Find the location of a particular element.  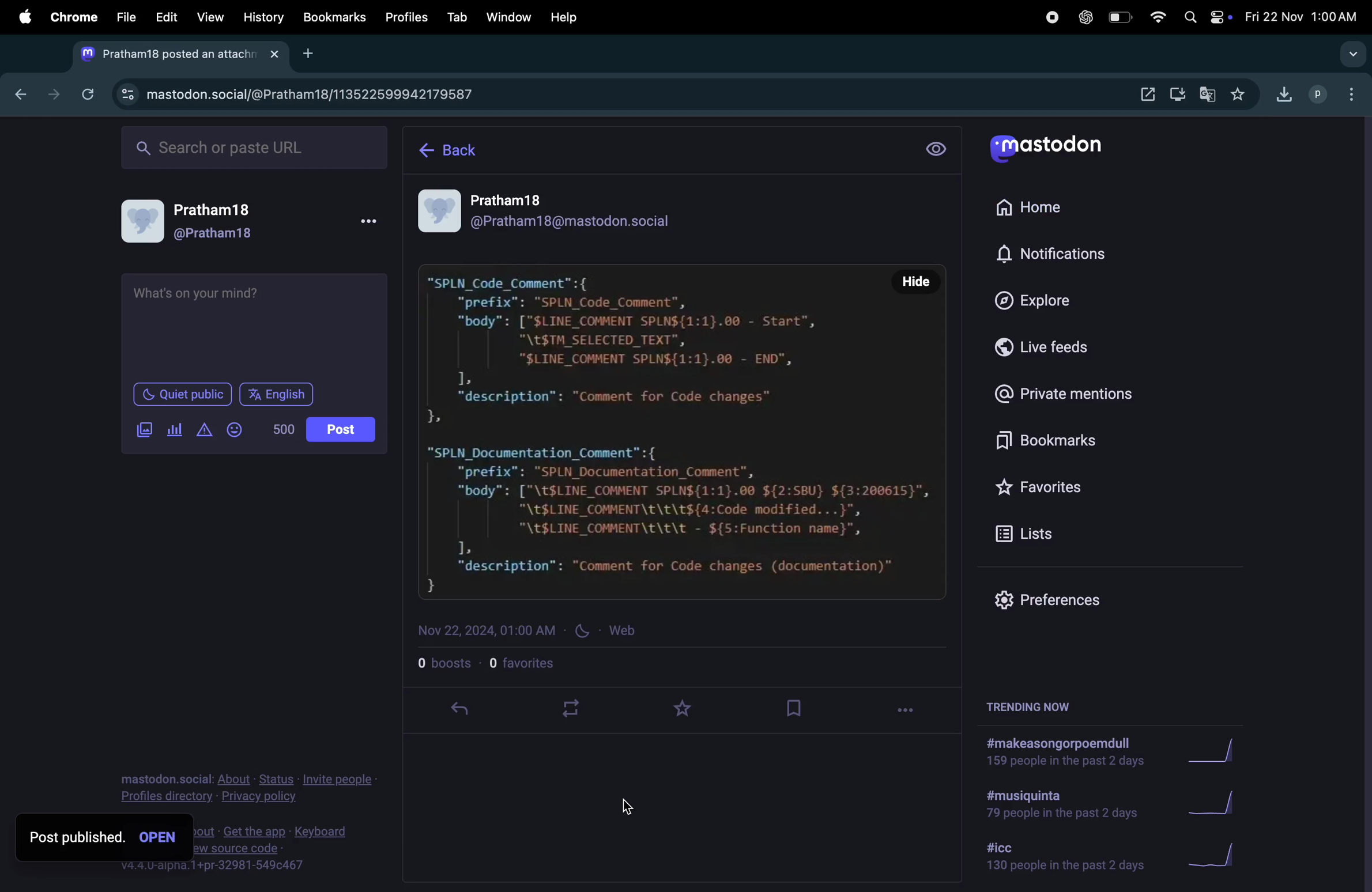

settings is located at coordinates (937, 149).